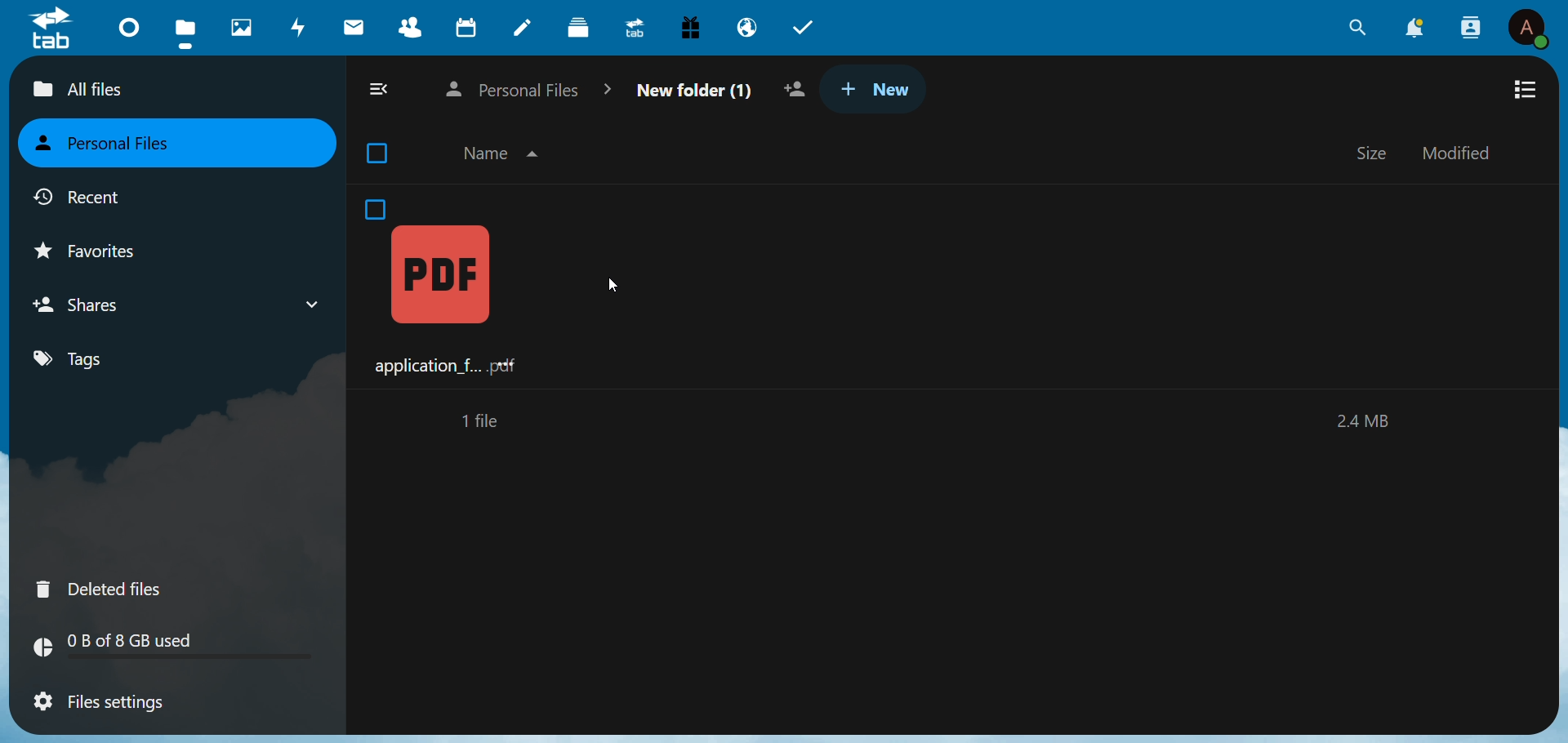 The width and height of the screenshot is (1568, 743). Describe the element at coordinates (692, 26) in the screenshot. I see `free trial` at that location.